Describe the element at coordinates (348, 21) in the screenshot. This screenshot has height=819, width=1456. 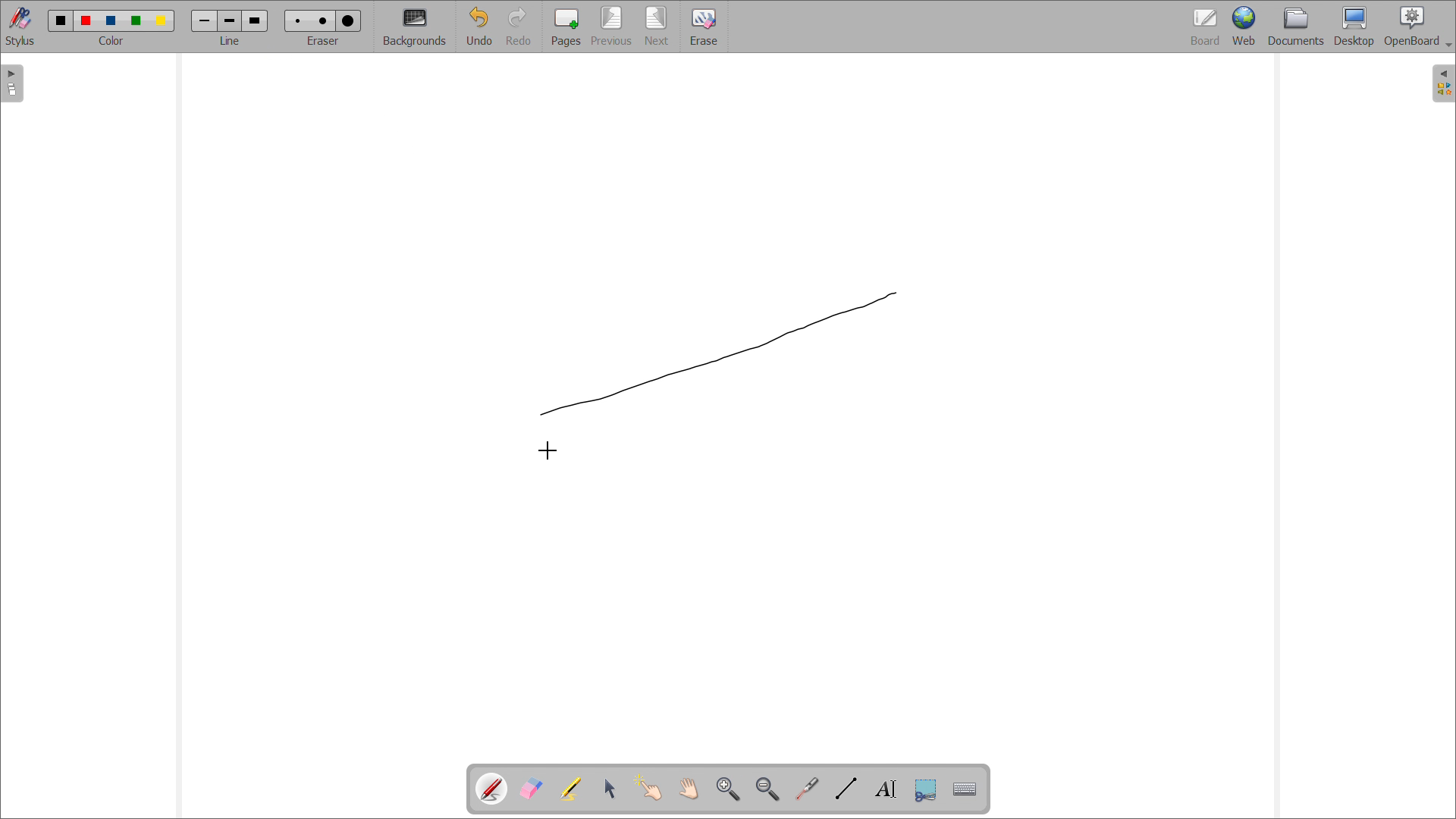
I see `Eraser size` at that location.